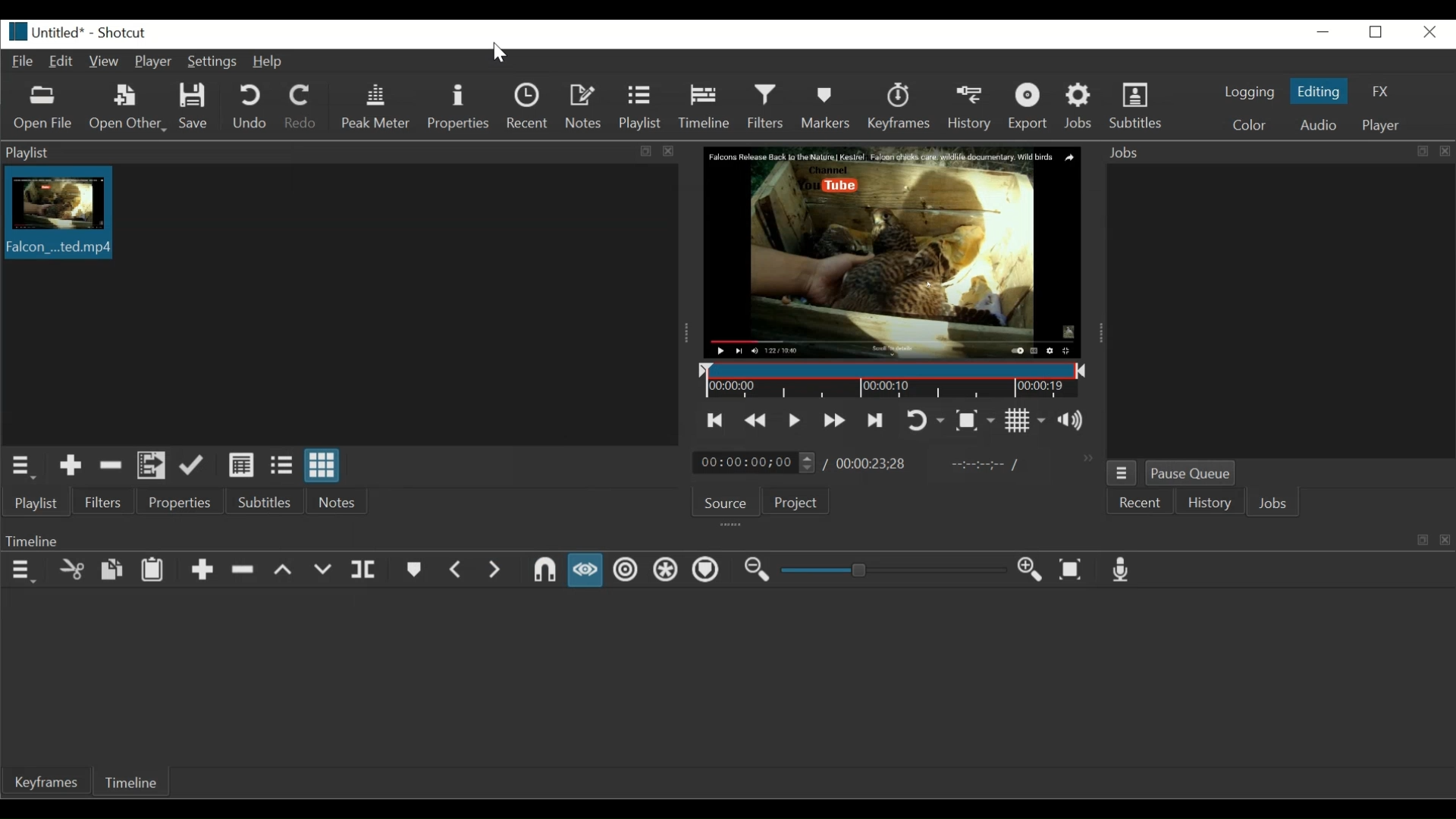  I want to click on Subtitles, so click(265, 501).